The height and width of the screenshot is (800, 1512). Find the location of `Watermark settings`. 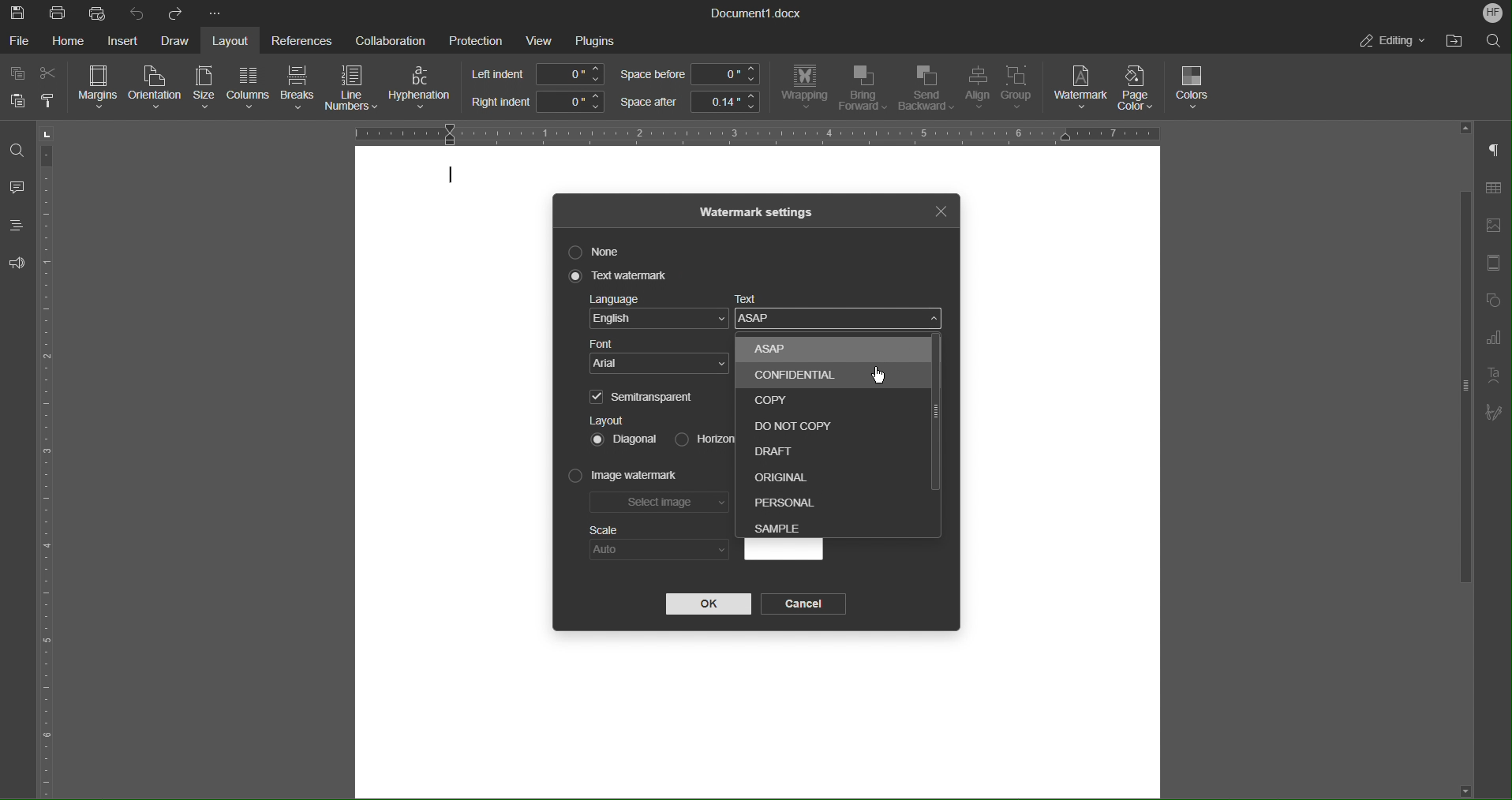

Watermark settings is located at coordinates (758, 211).